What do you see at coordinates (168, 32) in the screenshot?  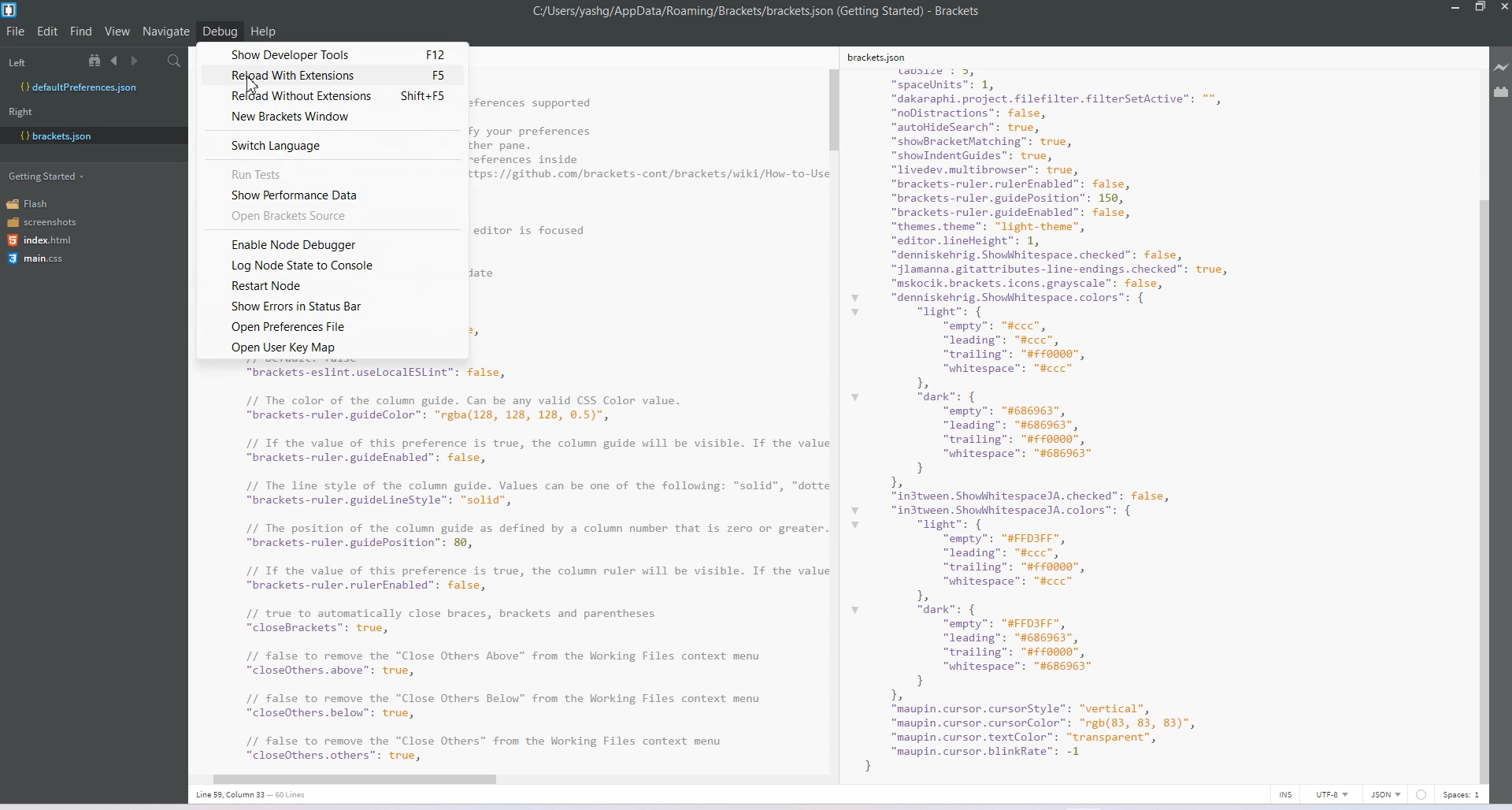 I see `Navigate` at bounding box center [168, 32].